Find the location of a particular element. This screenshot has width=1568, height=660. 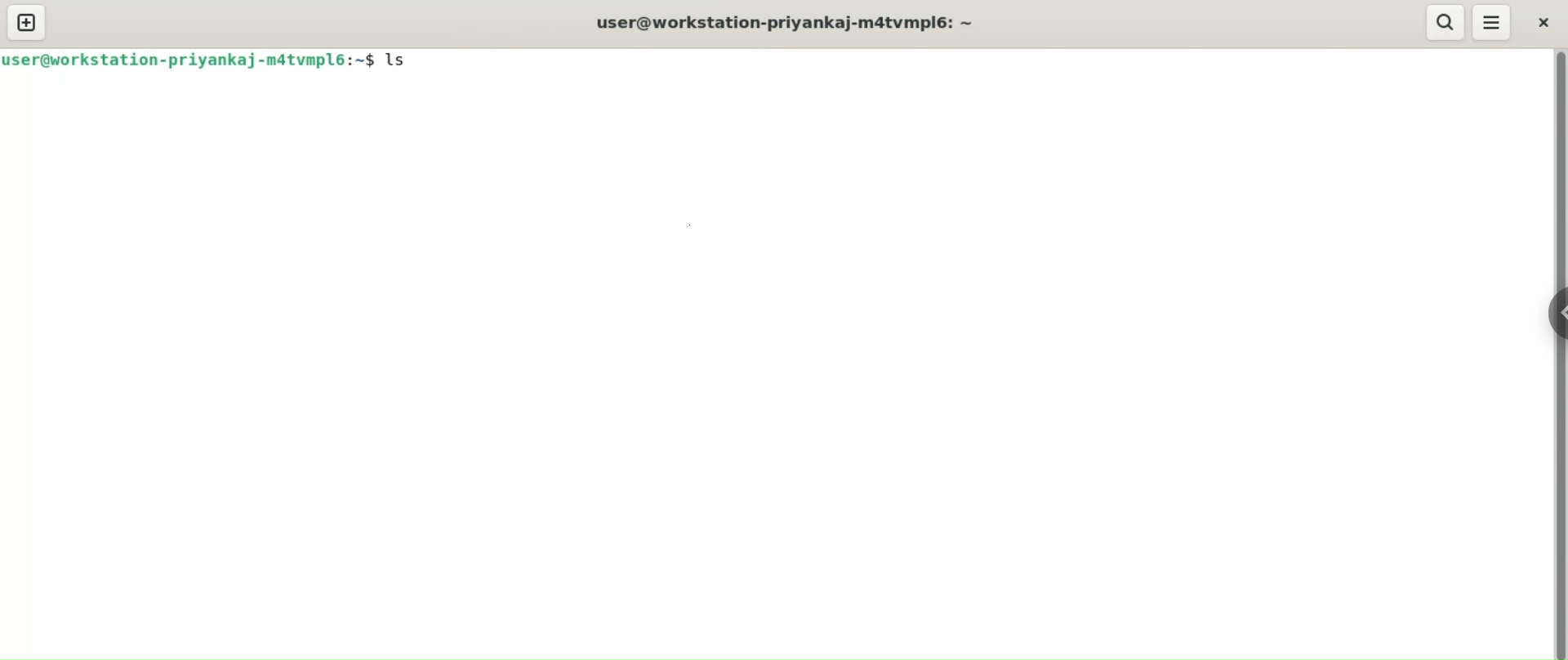

menu is located at coordinates (1493, 24).